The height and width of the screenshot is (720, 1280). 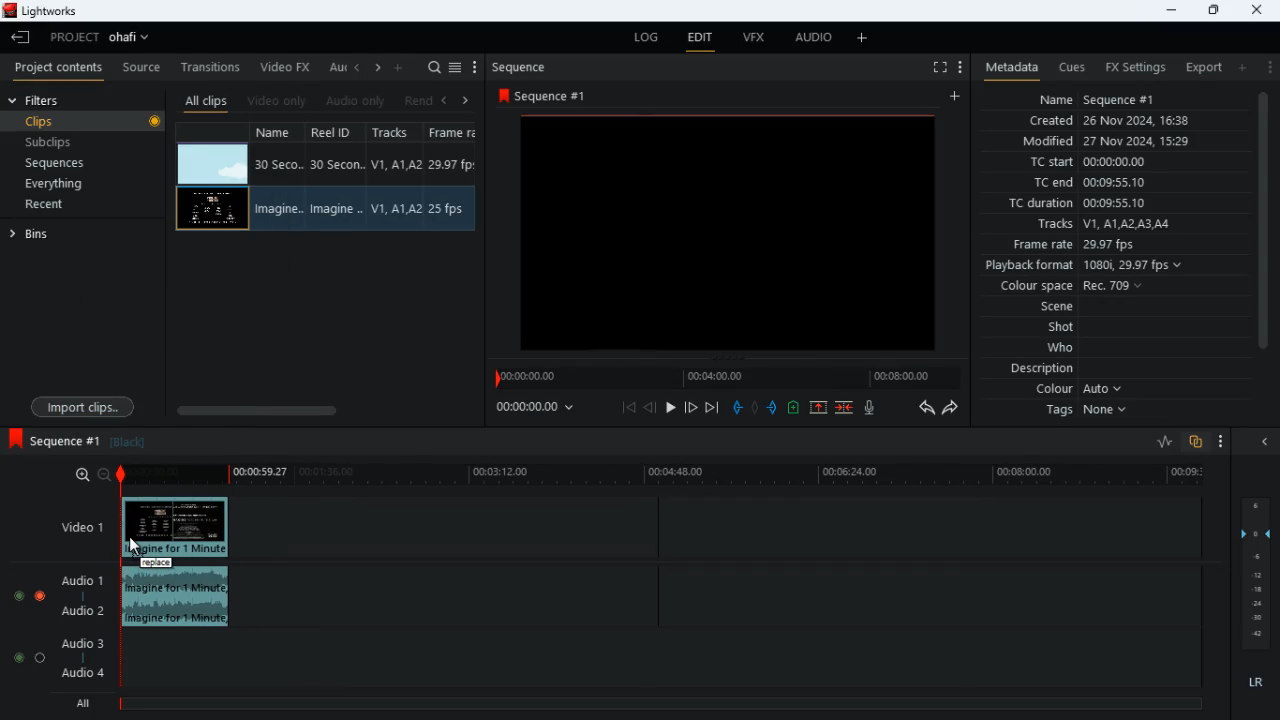 What do you see at coordinates (958, 66) in the screenshot?
I see `more` at bounding box center [958, 66].